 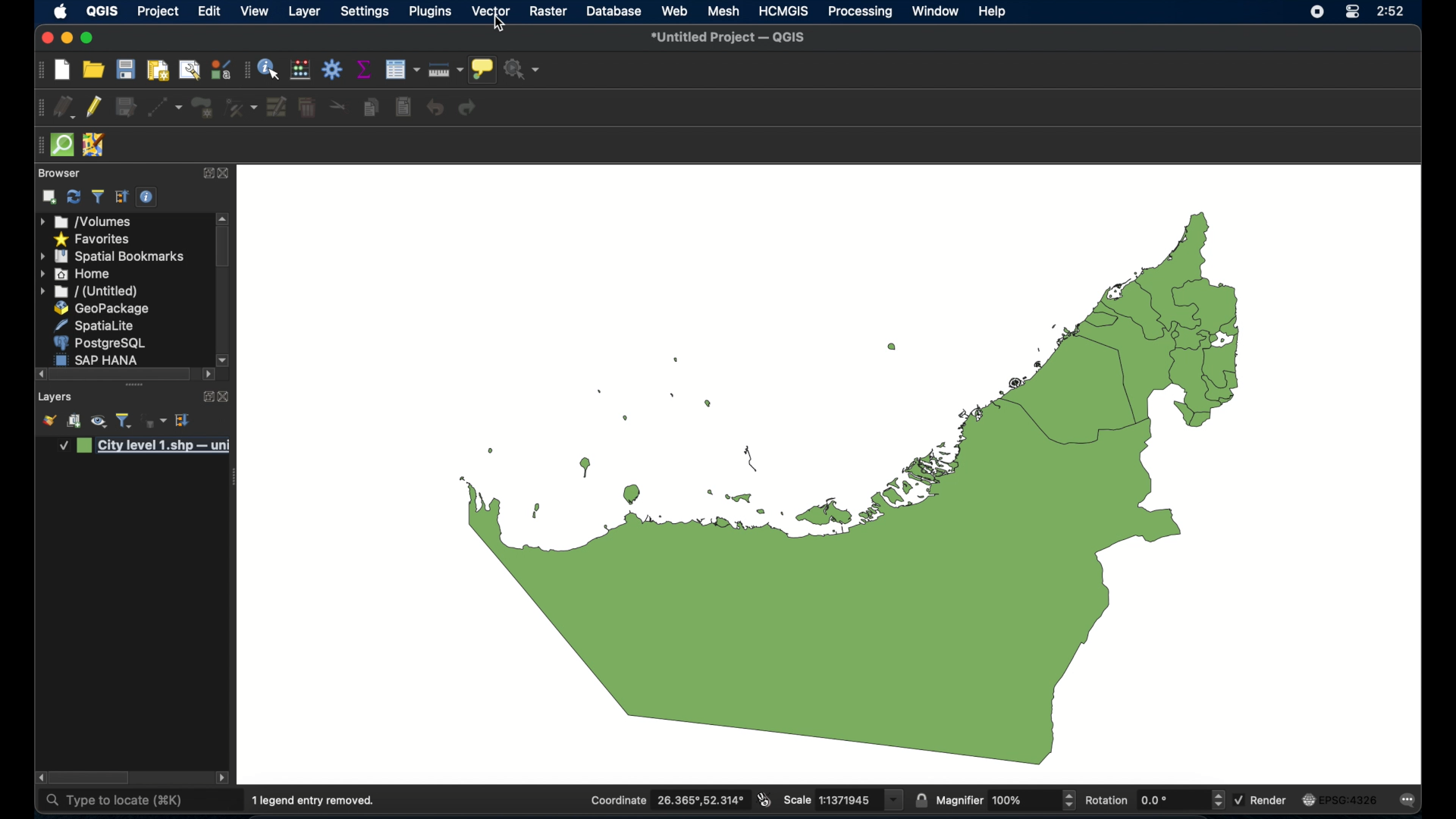 What do you see at coordinates (202, 106) in the screenshot?
I see `add polygon feature` at bounding box center [202, 106].